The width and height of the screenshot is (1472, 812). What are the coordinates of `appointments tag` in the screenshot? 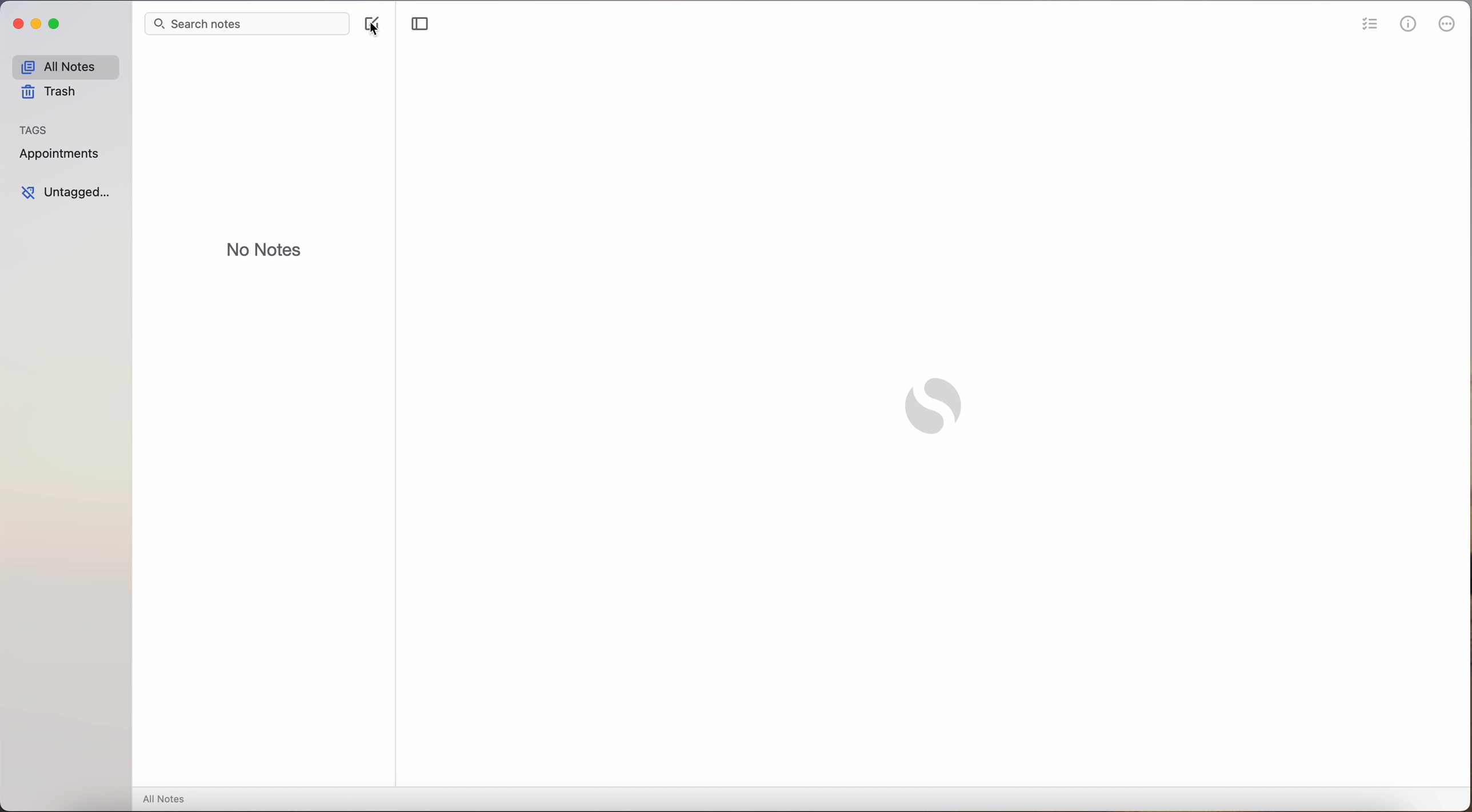 It's located at (61, 151).